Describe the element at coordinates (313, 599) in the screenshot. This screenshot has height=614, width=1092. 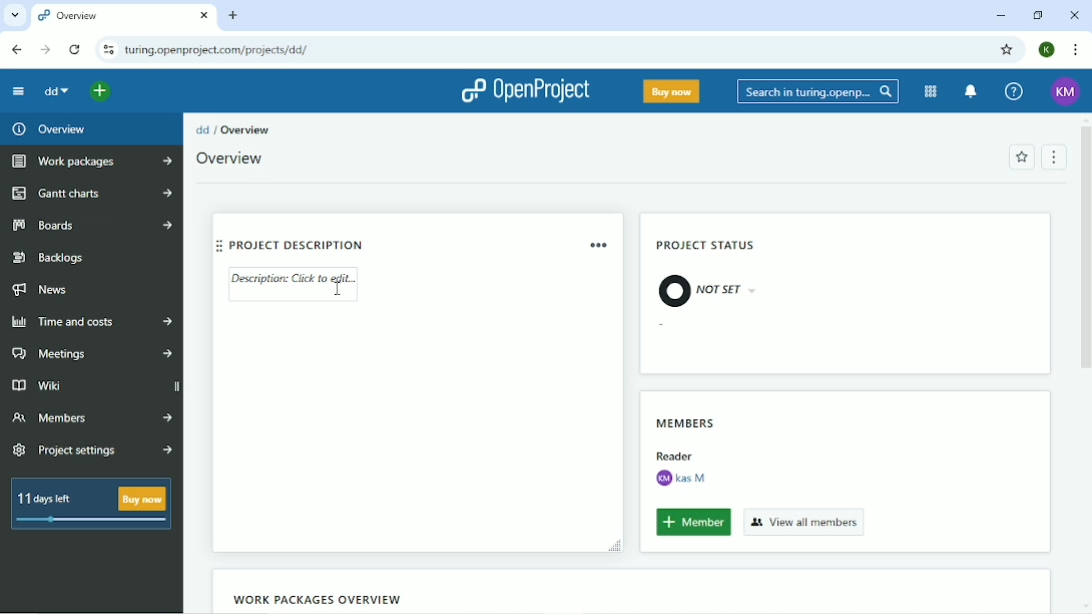
I see `Work packages overview` at that location.